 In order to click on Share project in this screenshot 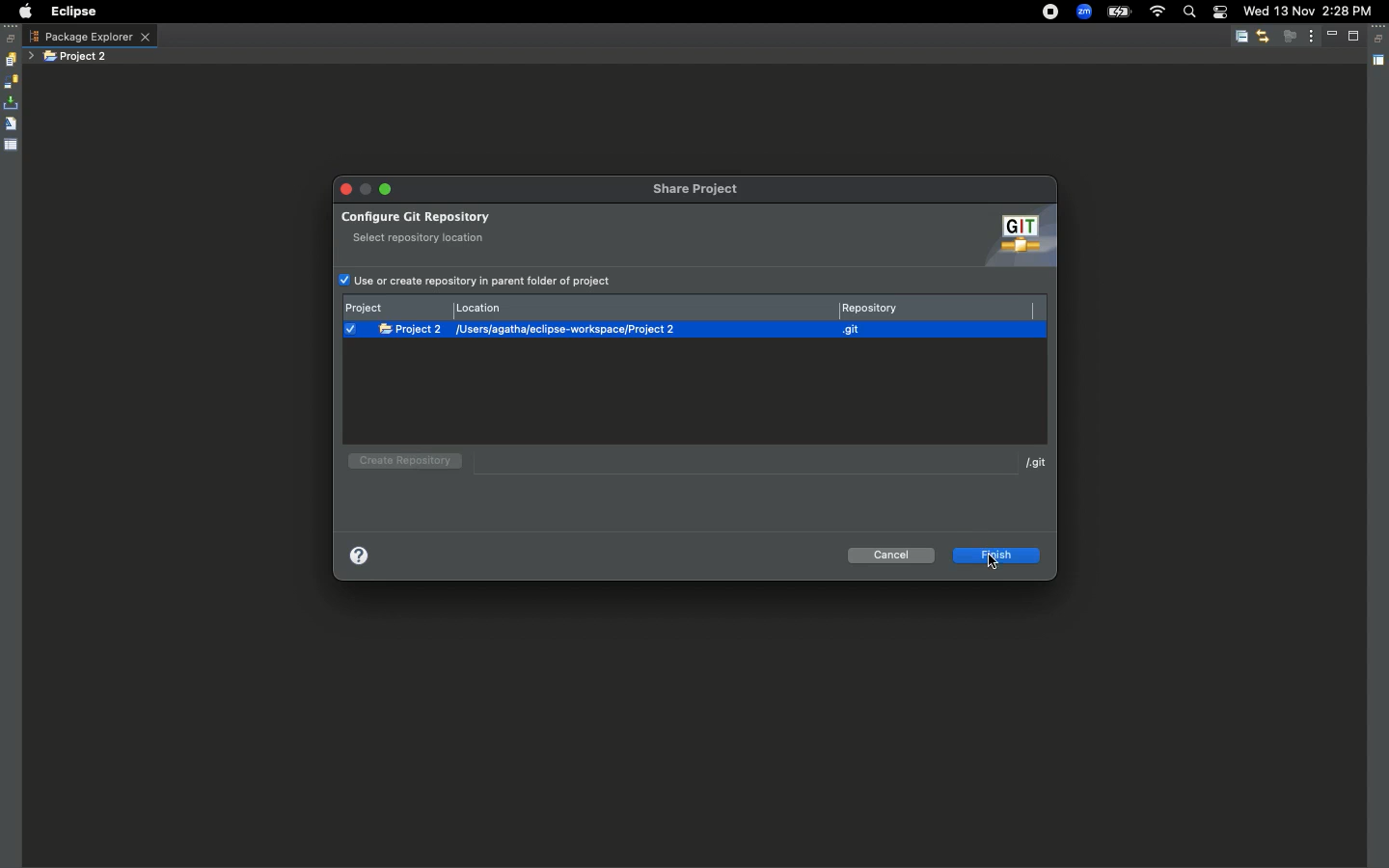, I will do `click(704, 190)`.